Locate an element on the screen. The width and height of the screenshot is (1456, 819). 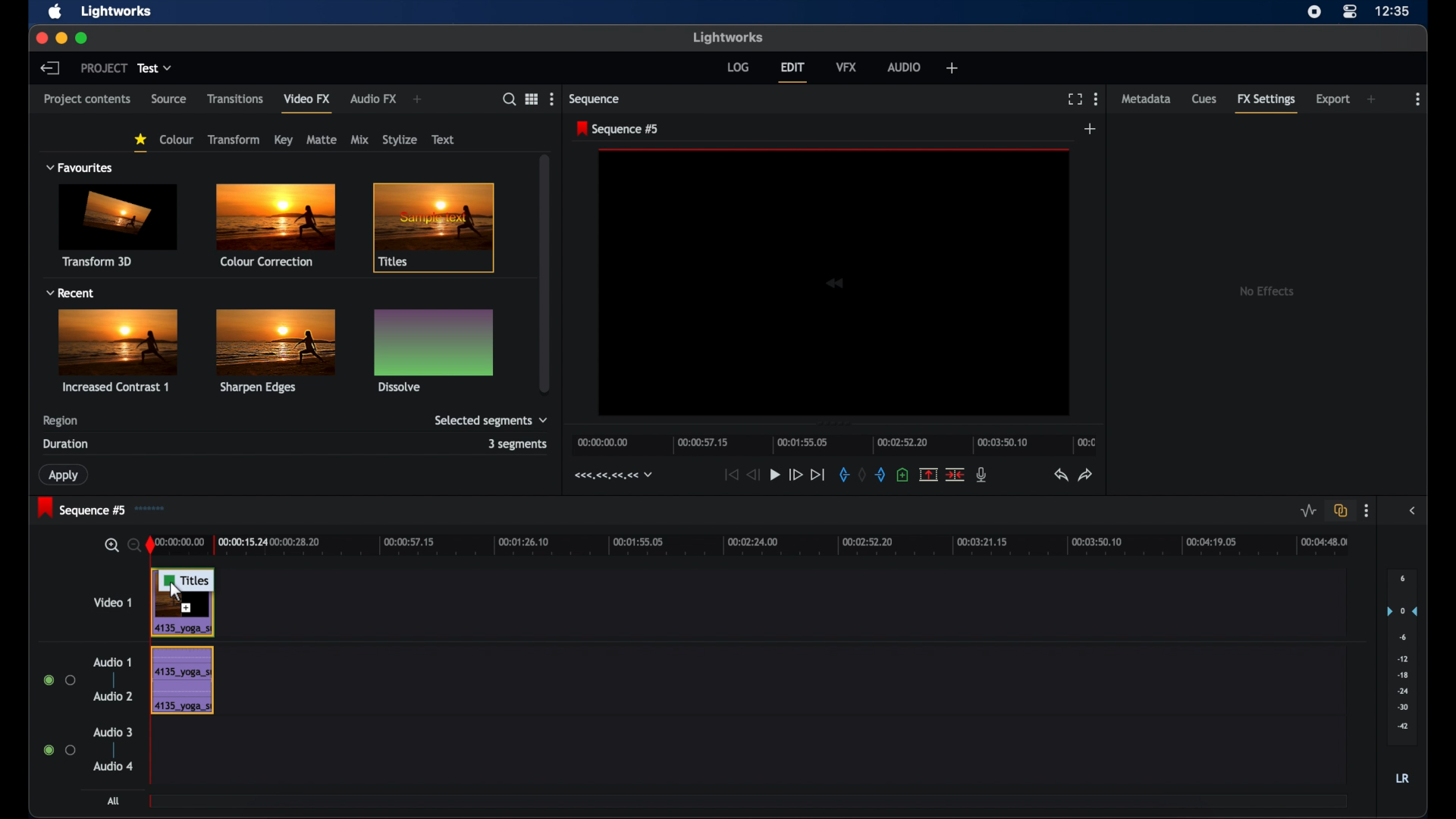
radio buttons is located at coordinates (58, 750).